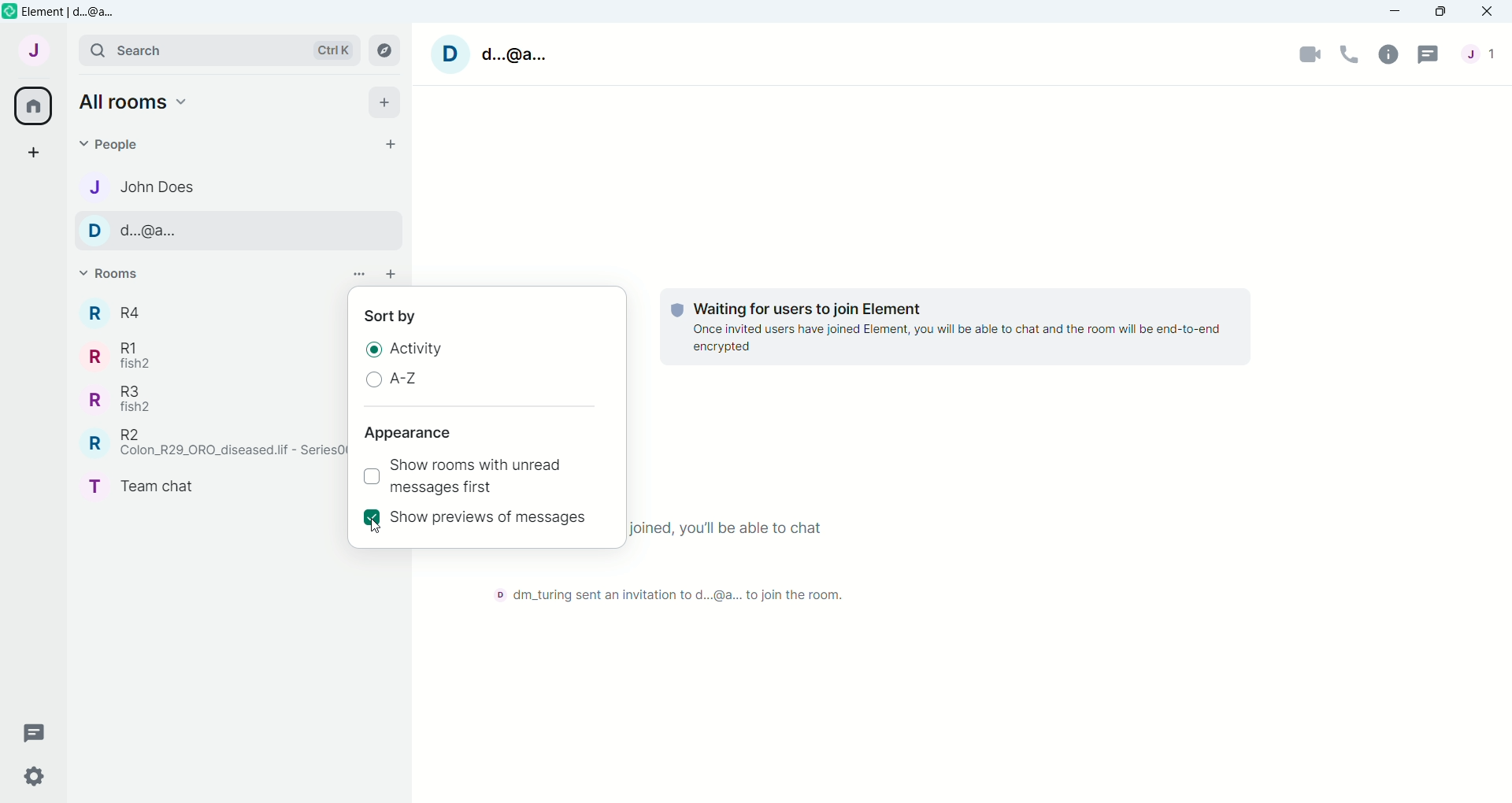 This screenshot has height=803, width=1512. What do you see at coordinates (1308, 54) in the screenshot?
I see `Video Call` at bounding box center [1308, 54].